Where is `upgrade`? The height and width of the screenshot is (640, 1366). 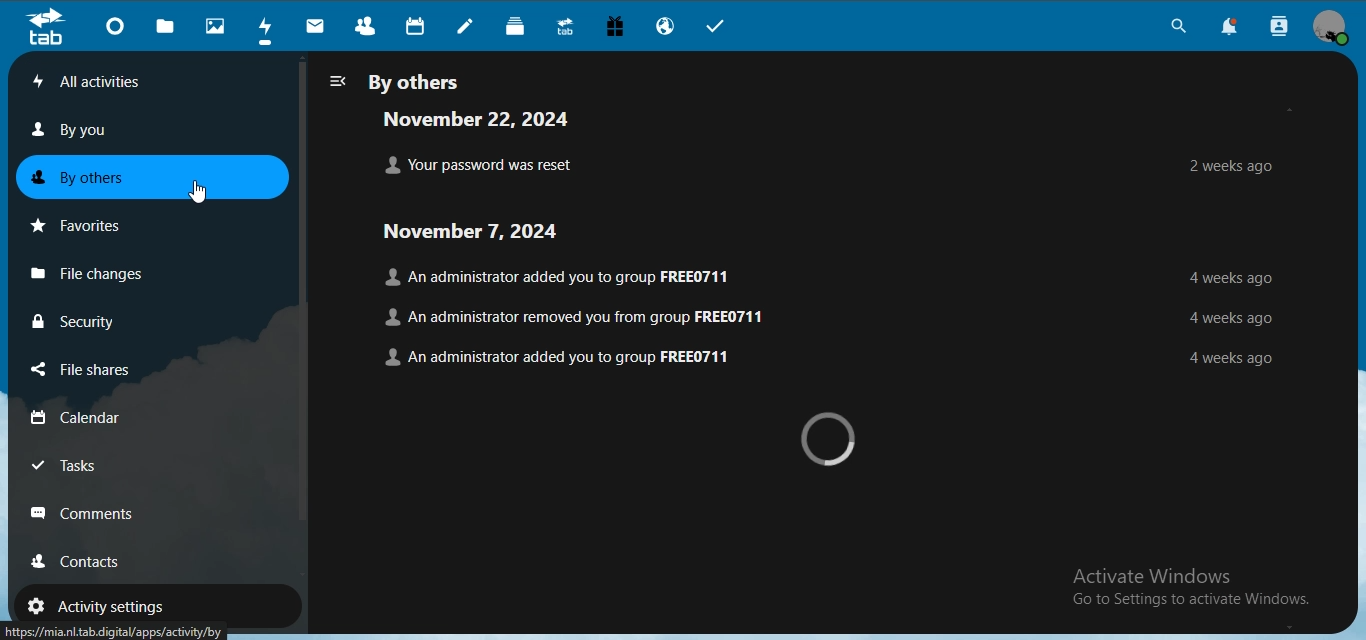
upgrade is located at coordinates (564, 25).